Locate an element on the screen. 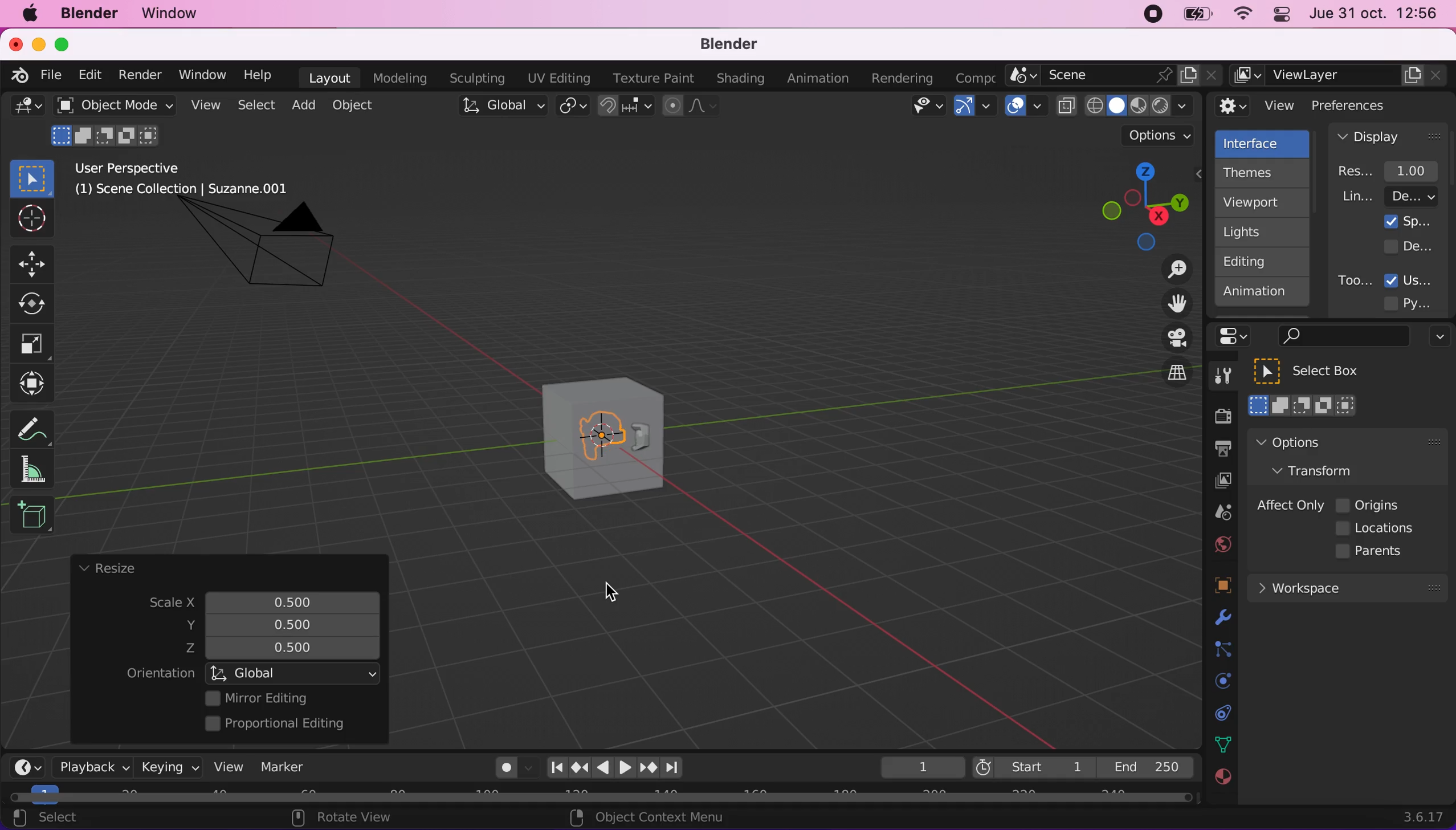 The width and height of the screenshot is (1456, 830). jump to keyframe is located at coordinates (580, 767).